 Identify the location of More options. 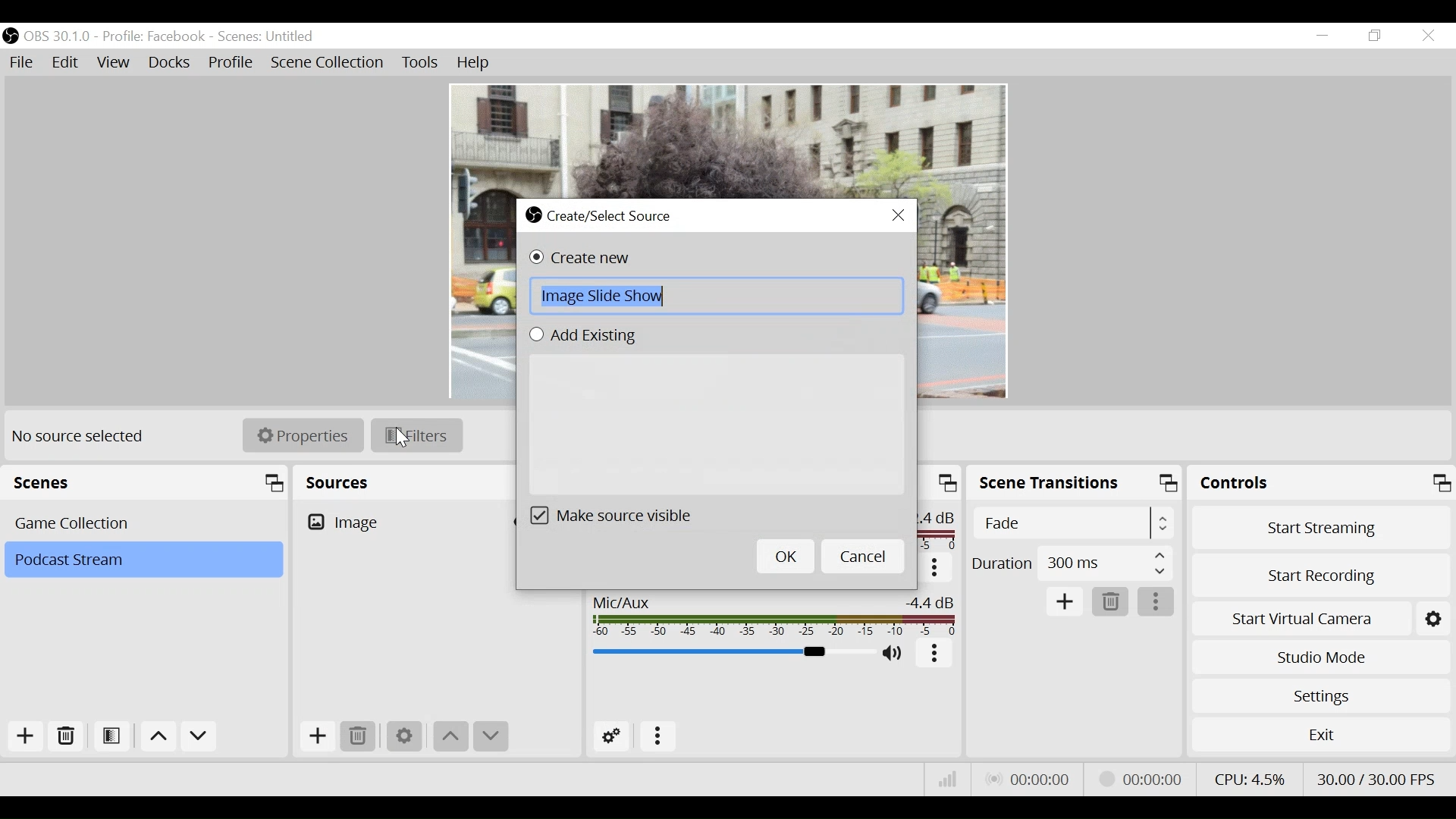
(936, 654).